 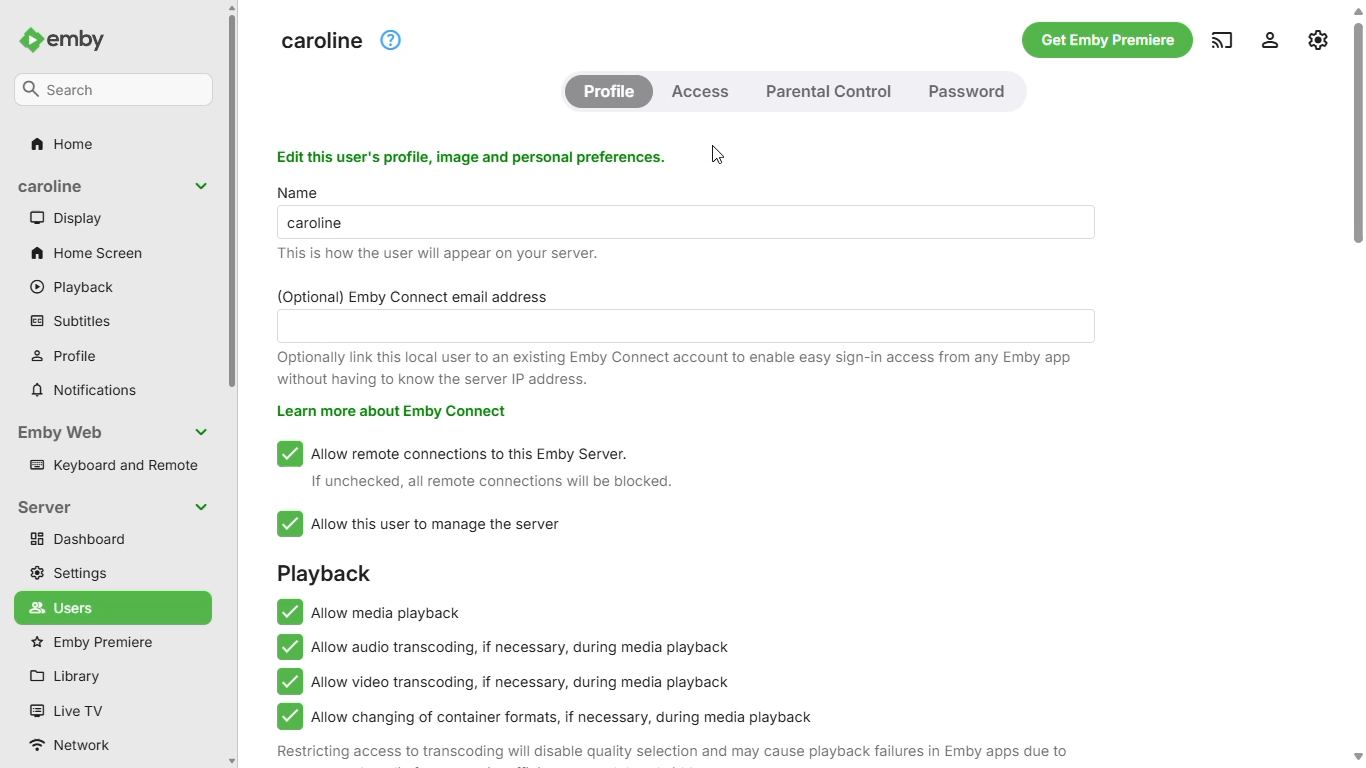 I want to click on users, so click(x=82, y=607).